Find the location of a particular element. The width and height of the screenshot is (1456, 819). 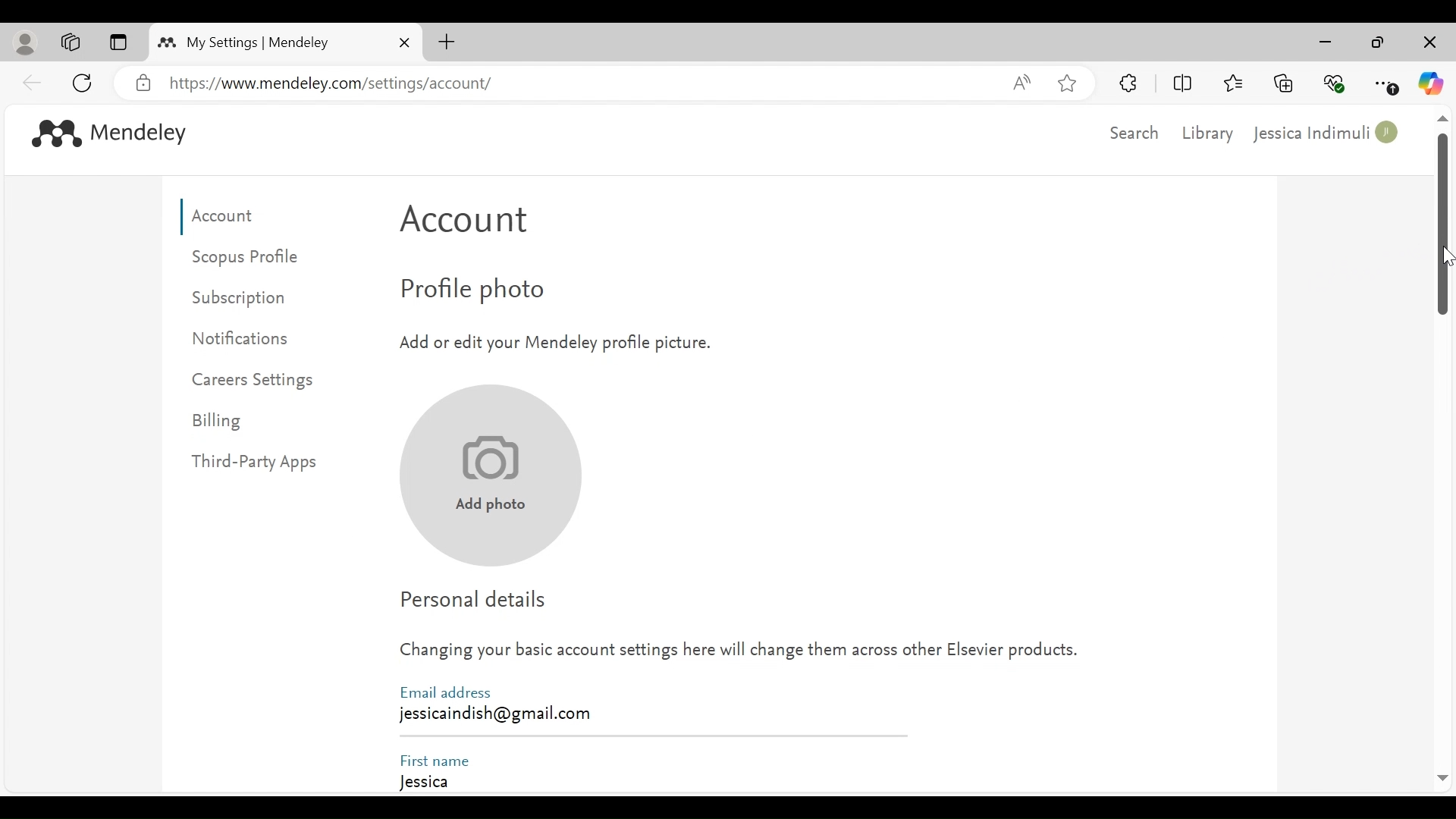

Account is located at coordinates (472, 224).